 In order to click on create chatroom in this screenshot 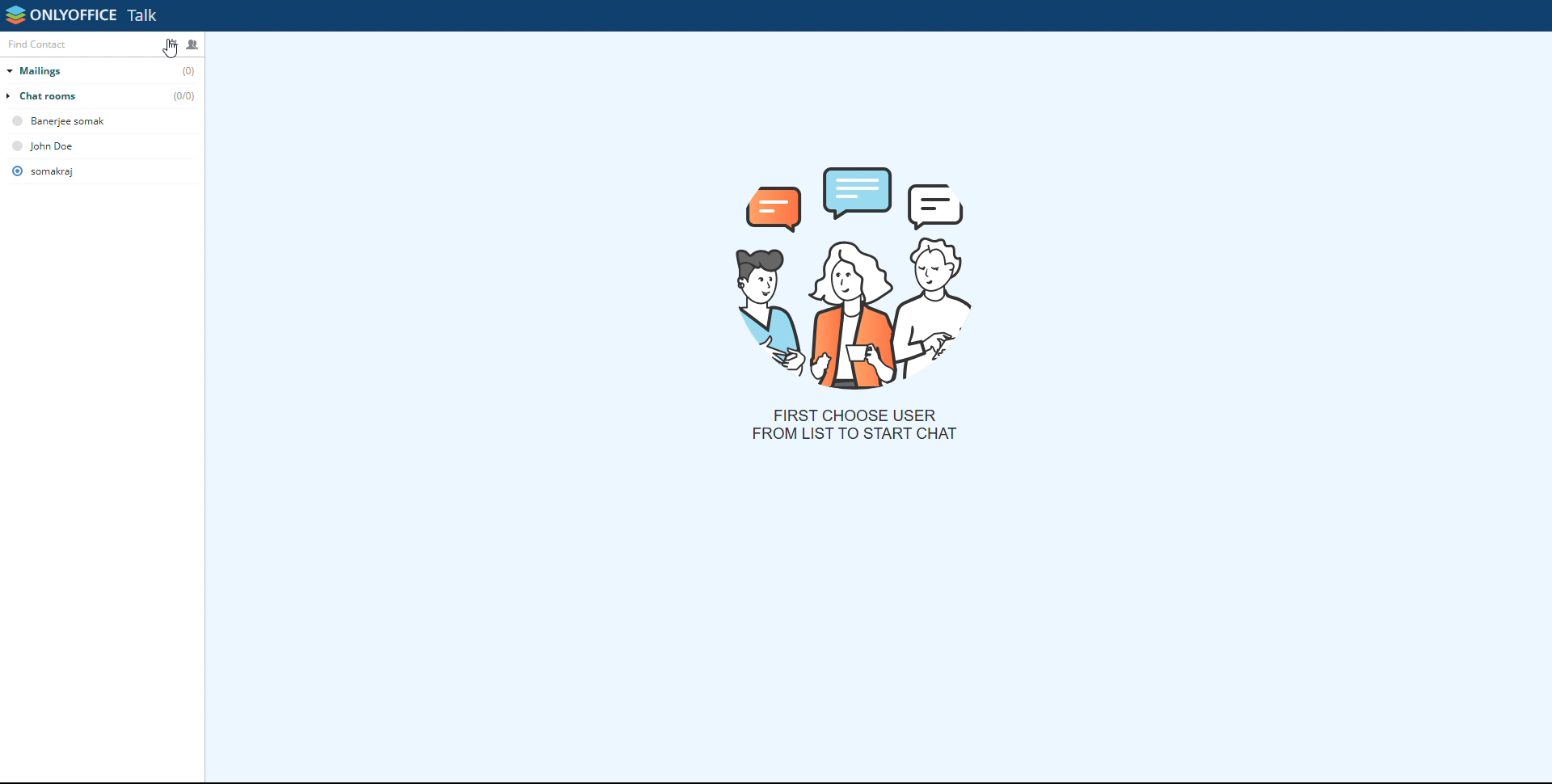, I will do `click(194, 44)`.